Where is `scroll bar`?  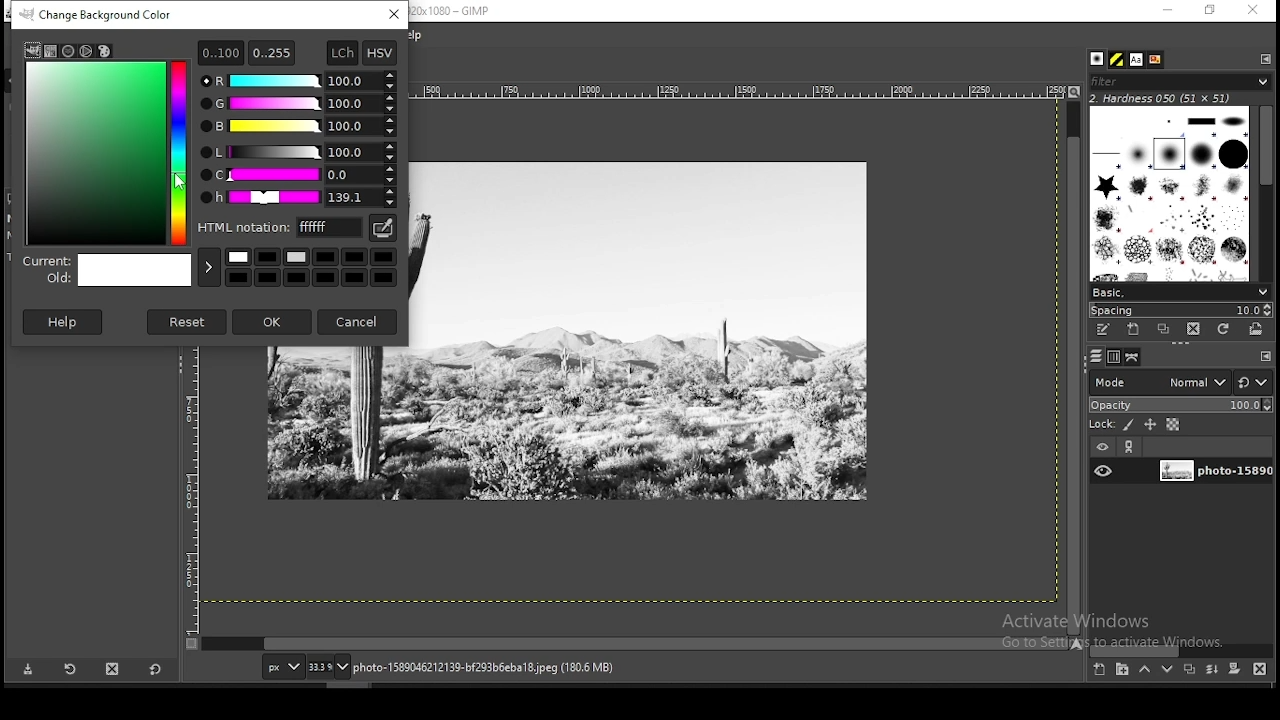
scroll bar is located at coordinates (1181, 650).